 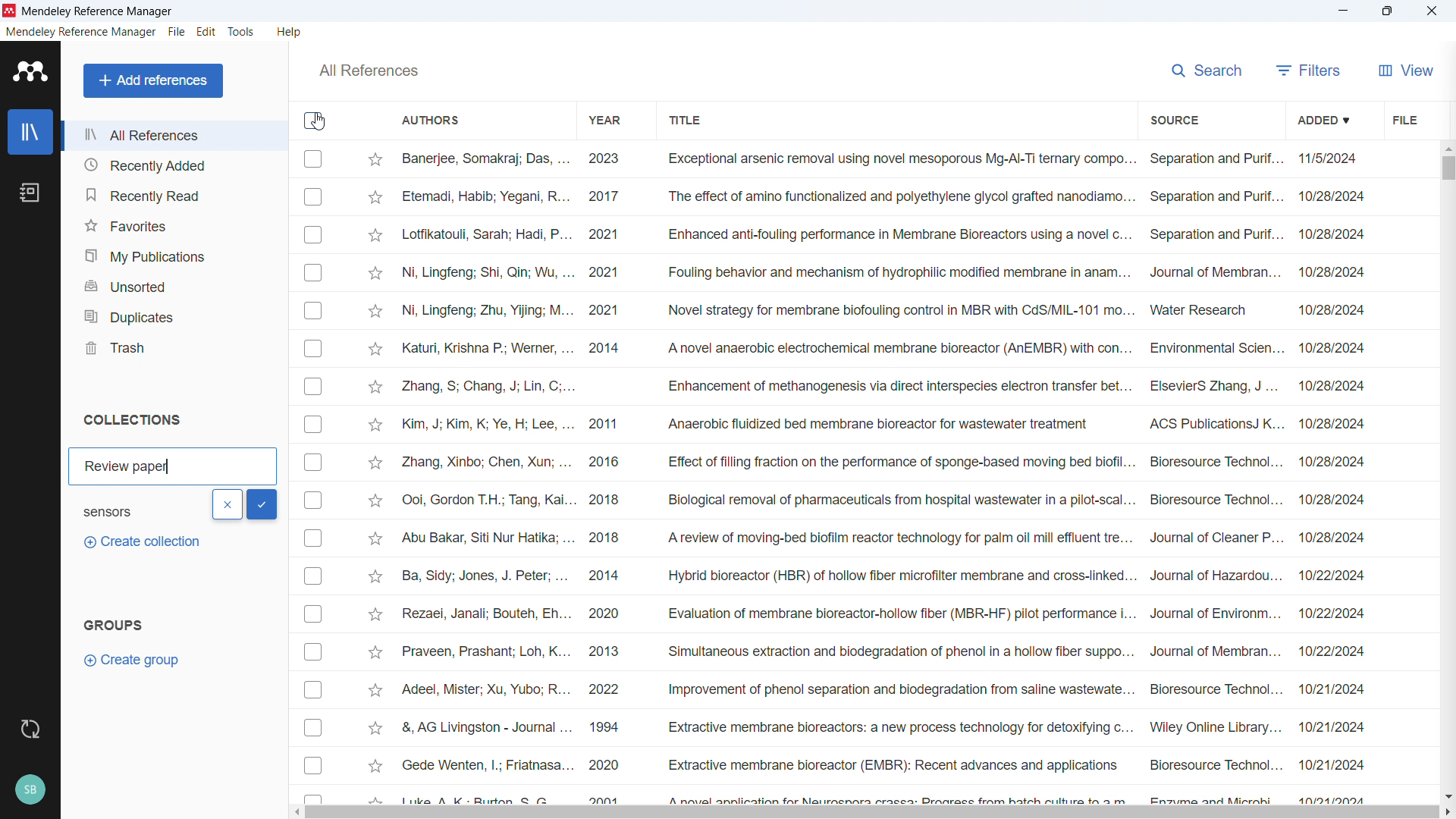 What do you see at coordinates (431, 121) in the screenshot?
I see `Authors` at bounding box center [431, 121].